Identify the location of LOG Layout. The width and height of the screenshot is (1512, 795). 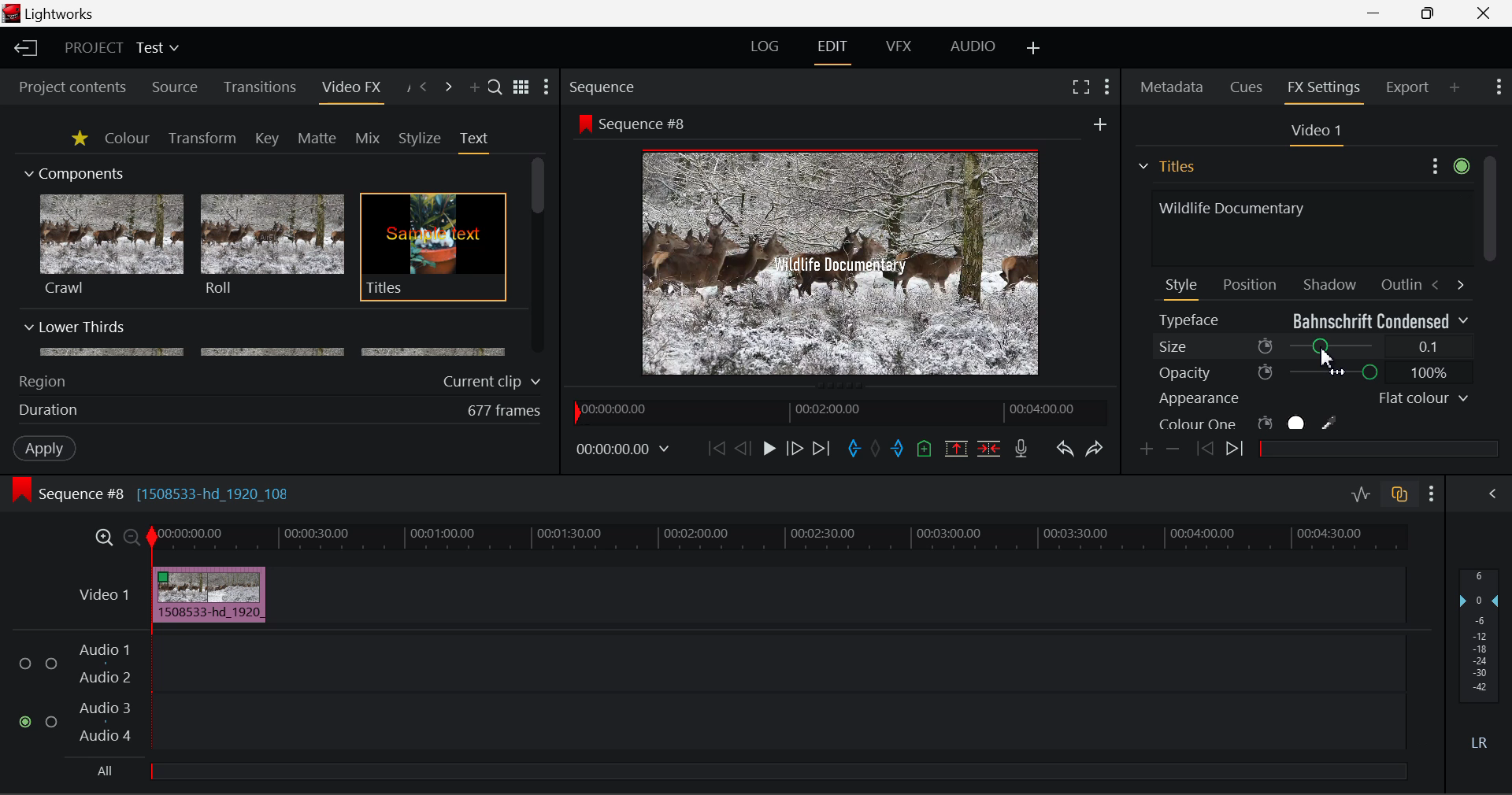
(765, 46).